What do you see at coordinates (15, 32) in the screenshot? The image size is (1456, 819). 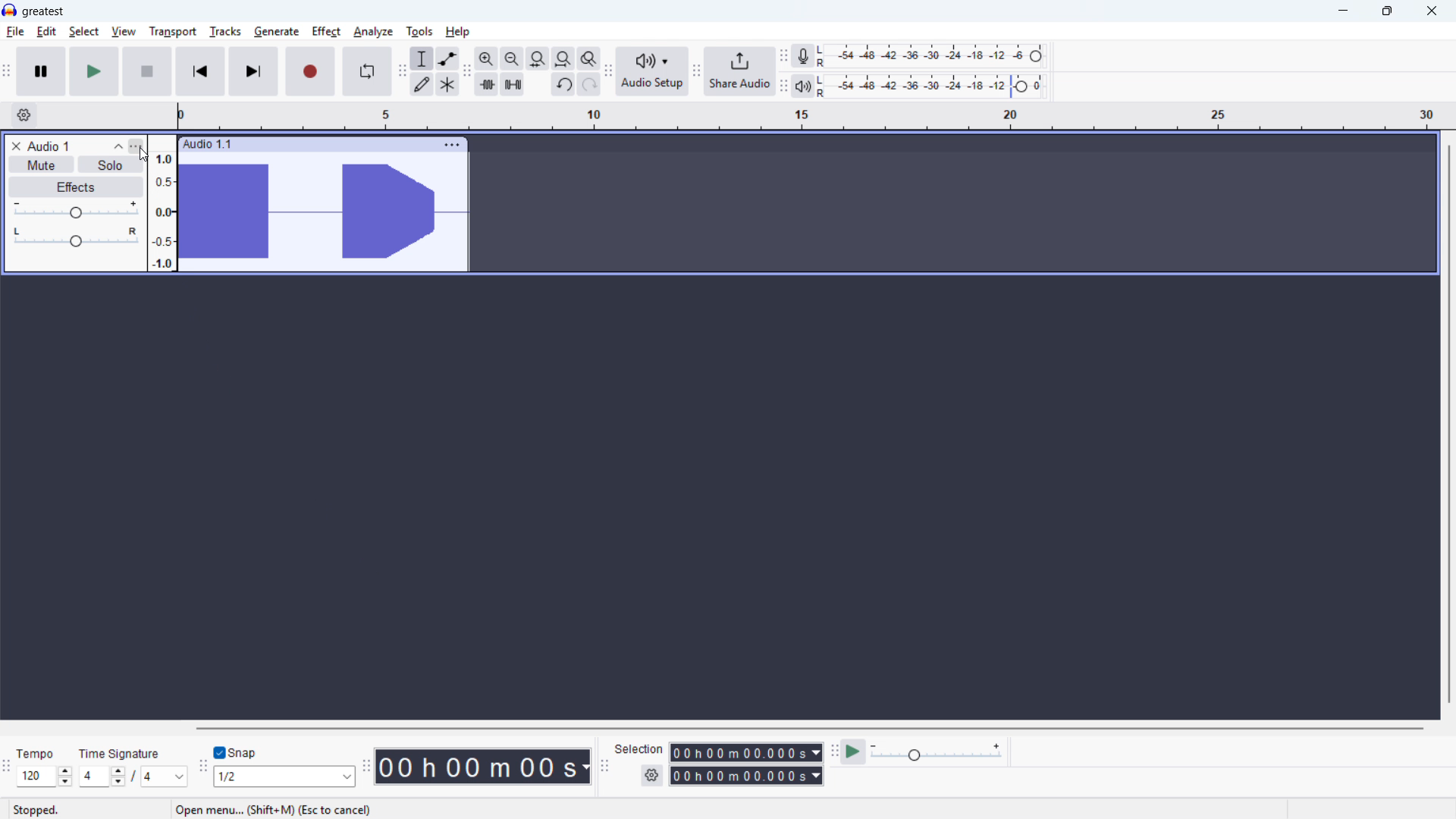 I see `File ` at bounding box center [15, 32].